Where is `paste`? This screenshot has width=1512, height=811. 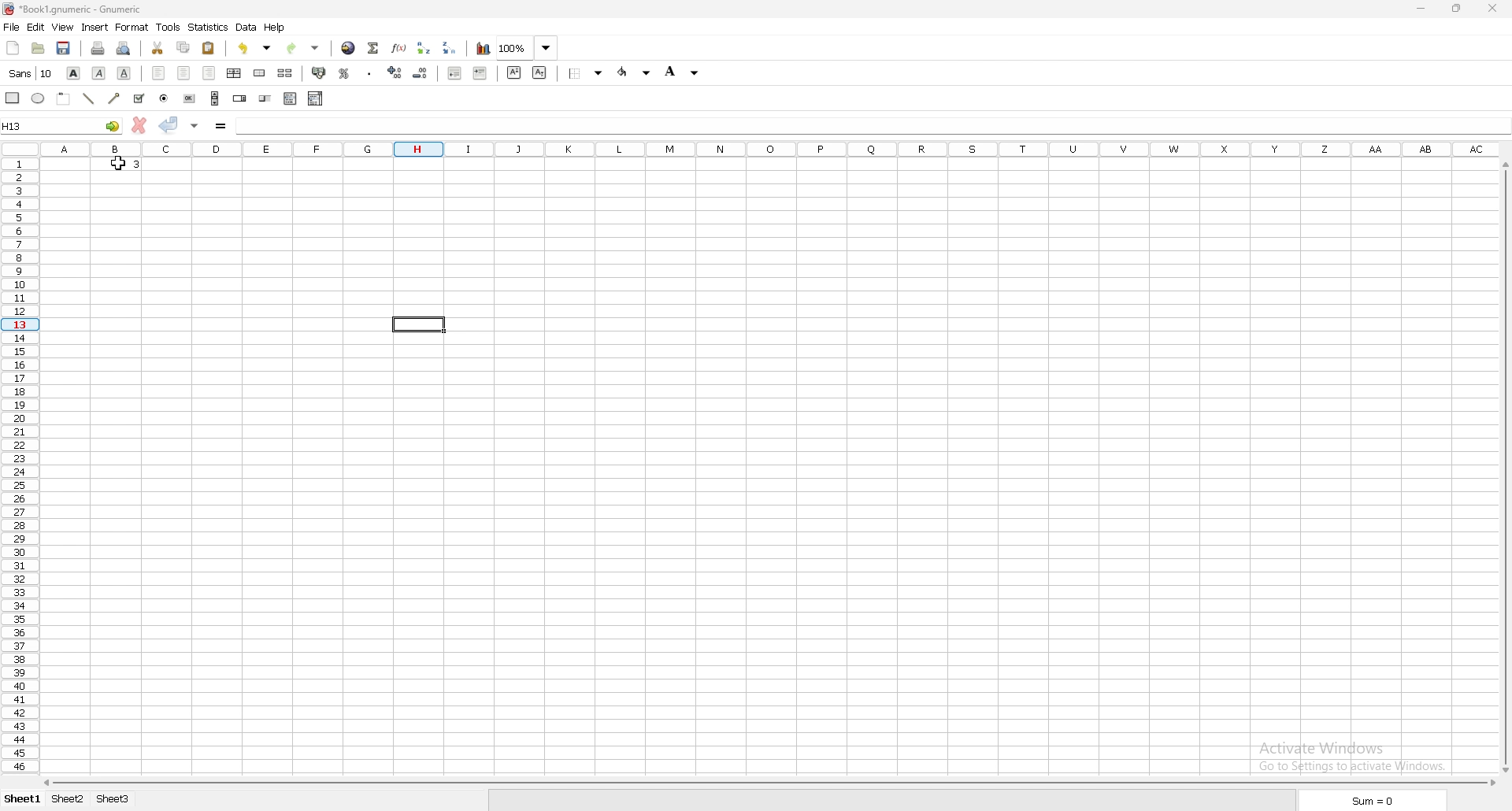 paste is located at coordinates (209, 49).